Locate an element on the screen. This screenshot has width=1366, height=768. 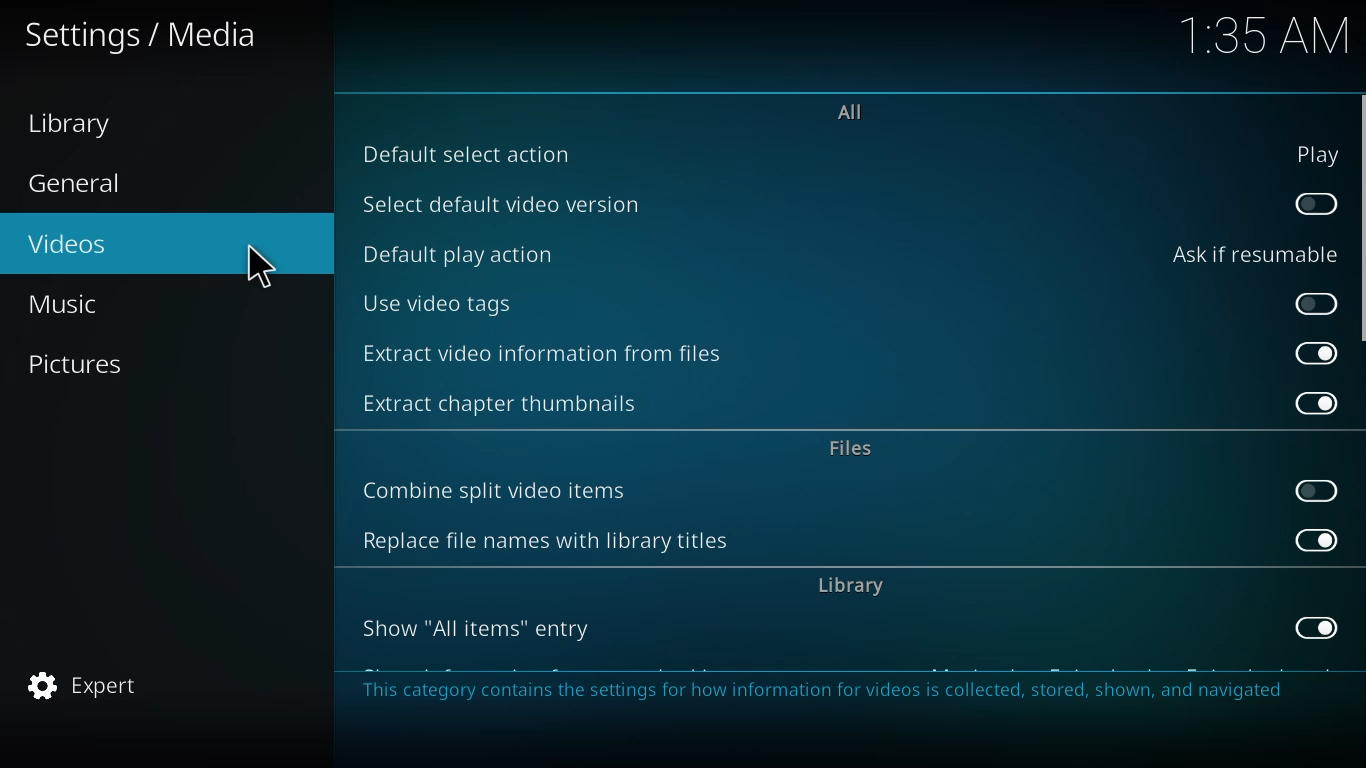
enabled is located at coordinates (1320, 352).